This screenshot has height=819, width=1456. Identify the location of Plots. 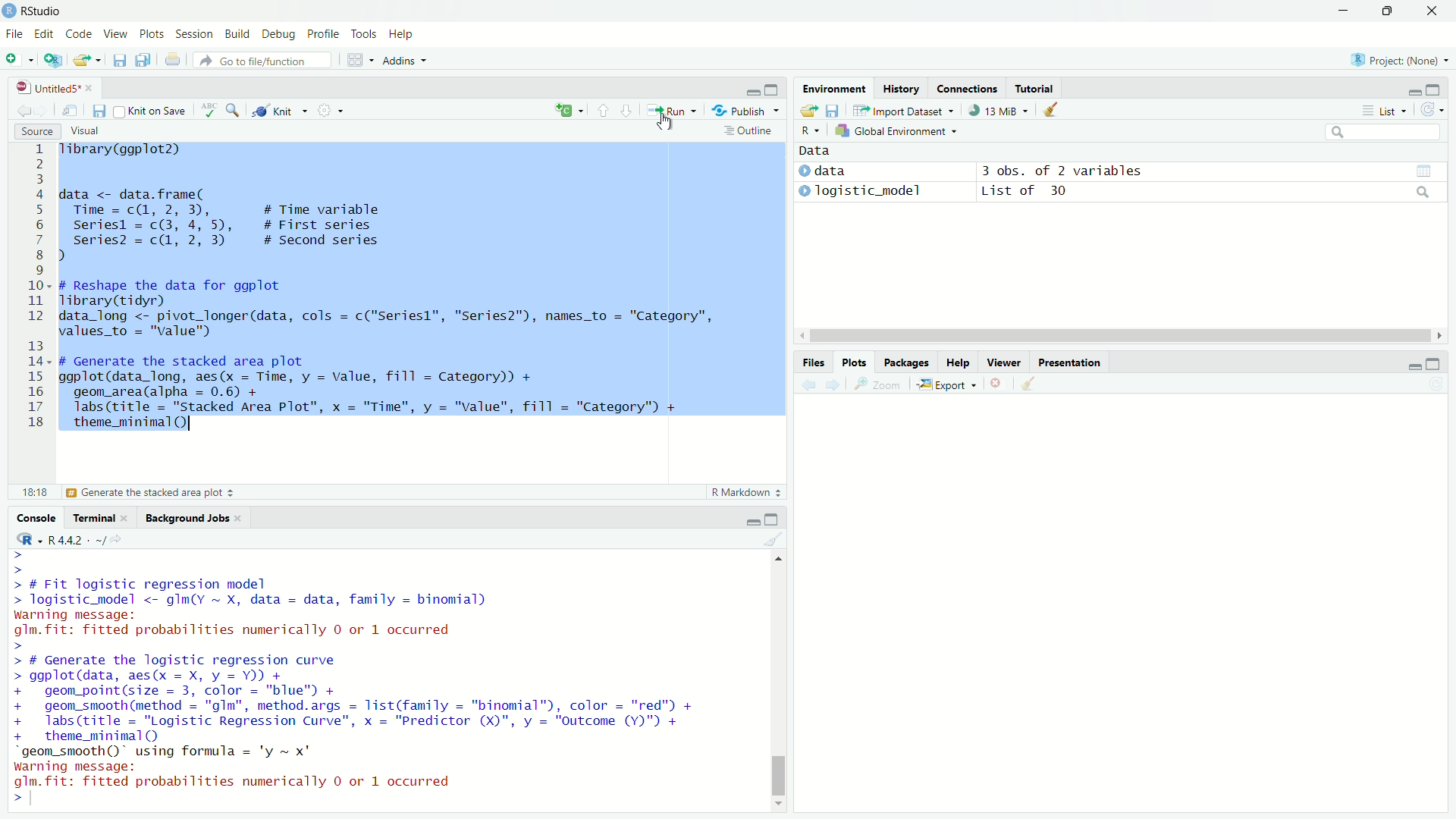
(153, 33).